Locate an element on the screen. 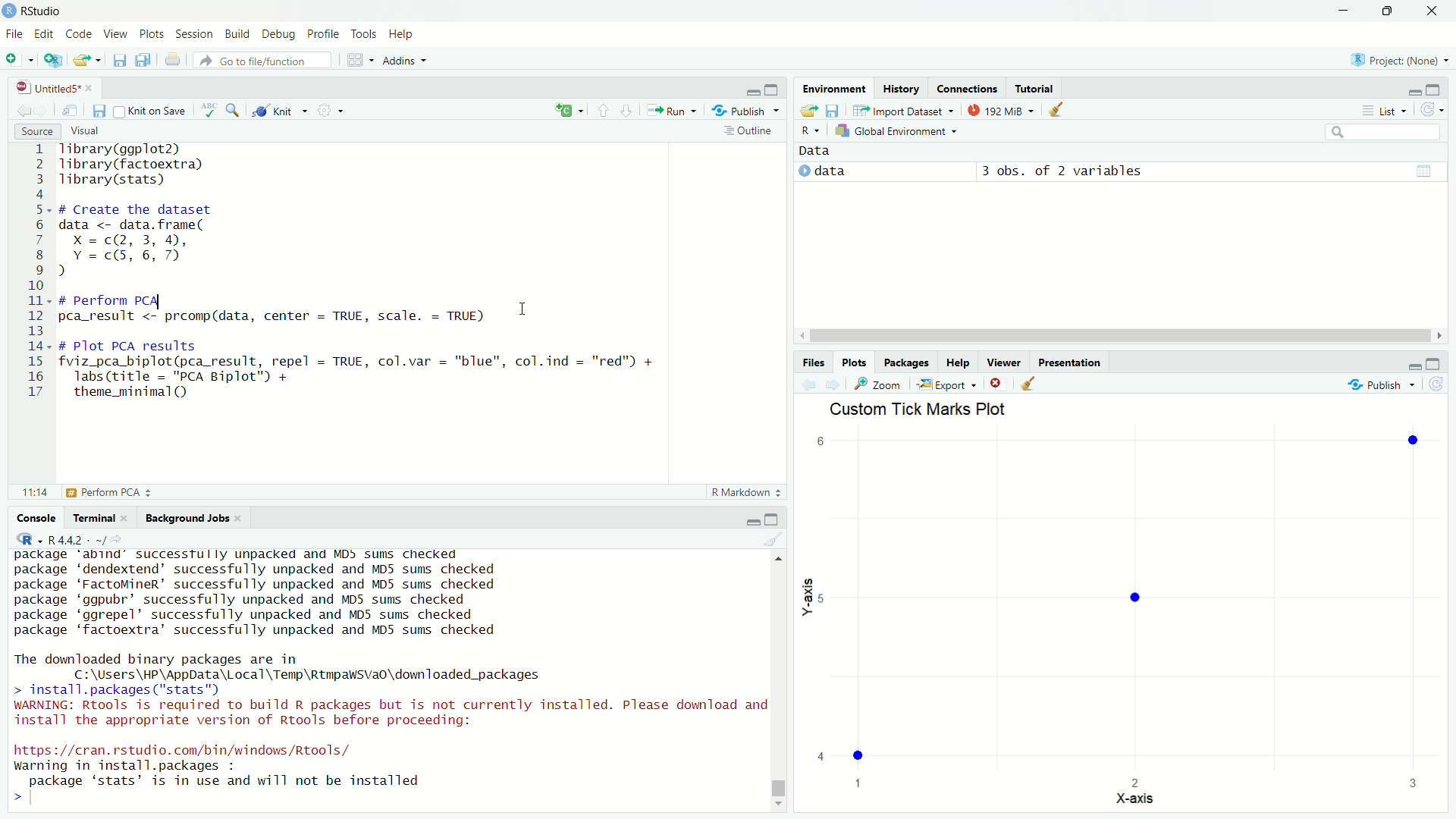 The image size is (1456, 819). R language version - 4.4.2 is located at coordinates (82, 539).